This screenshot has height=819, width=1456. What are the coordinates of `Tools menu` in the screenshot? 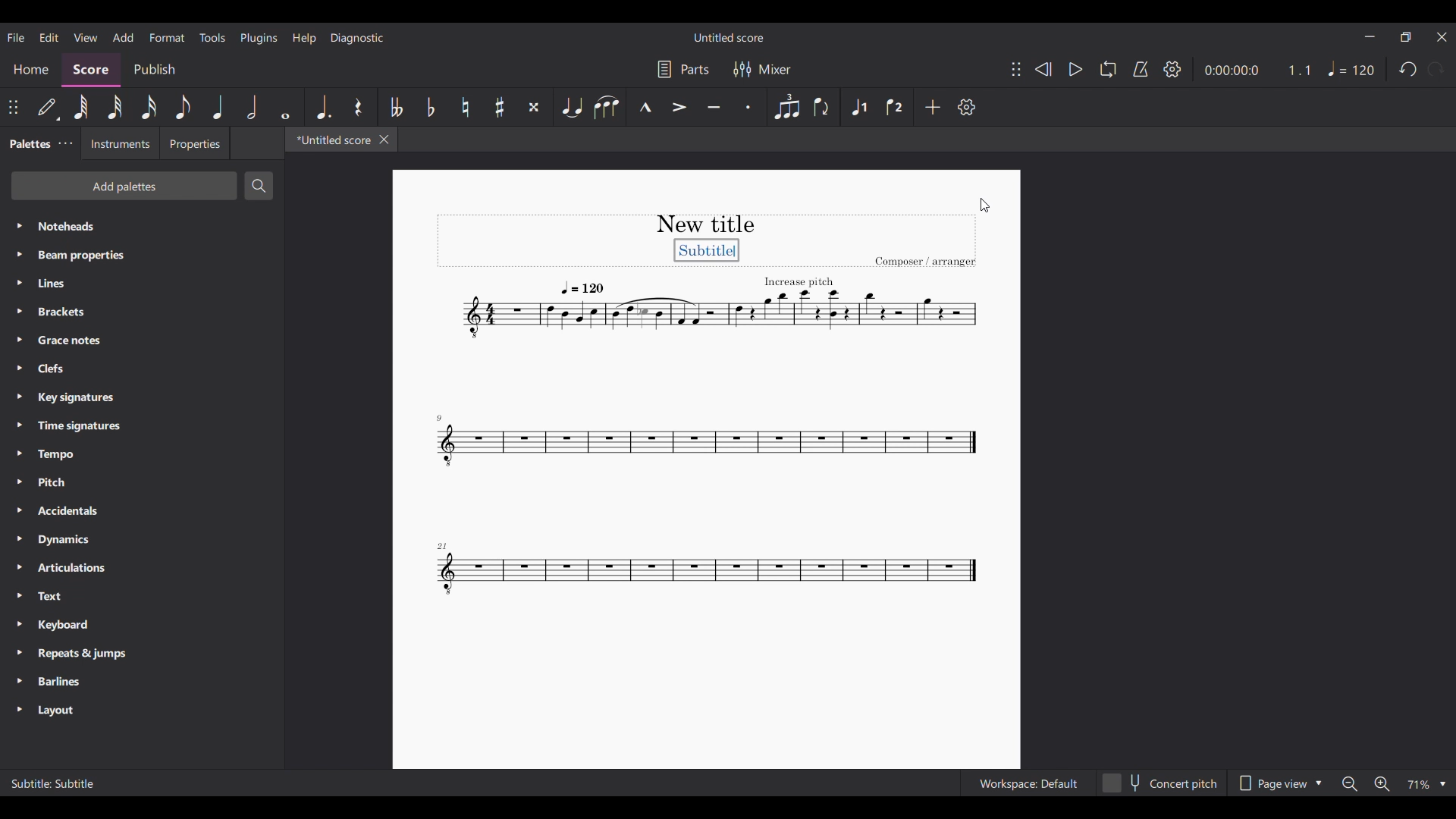 It's located at (212, 37).